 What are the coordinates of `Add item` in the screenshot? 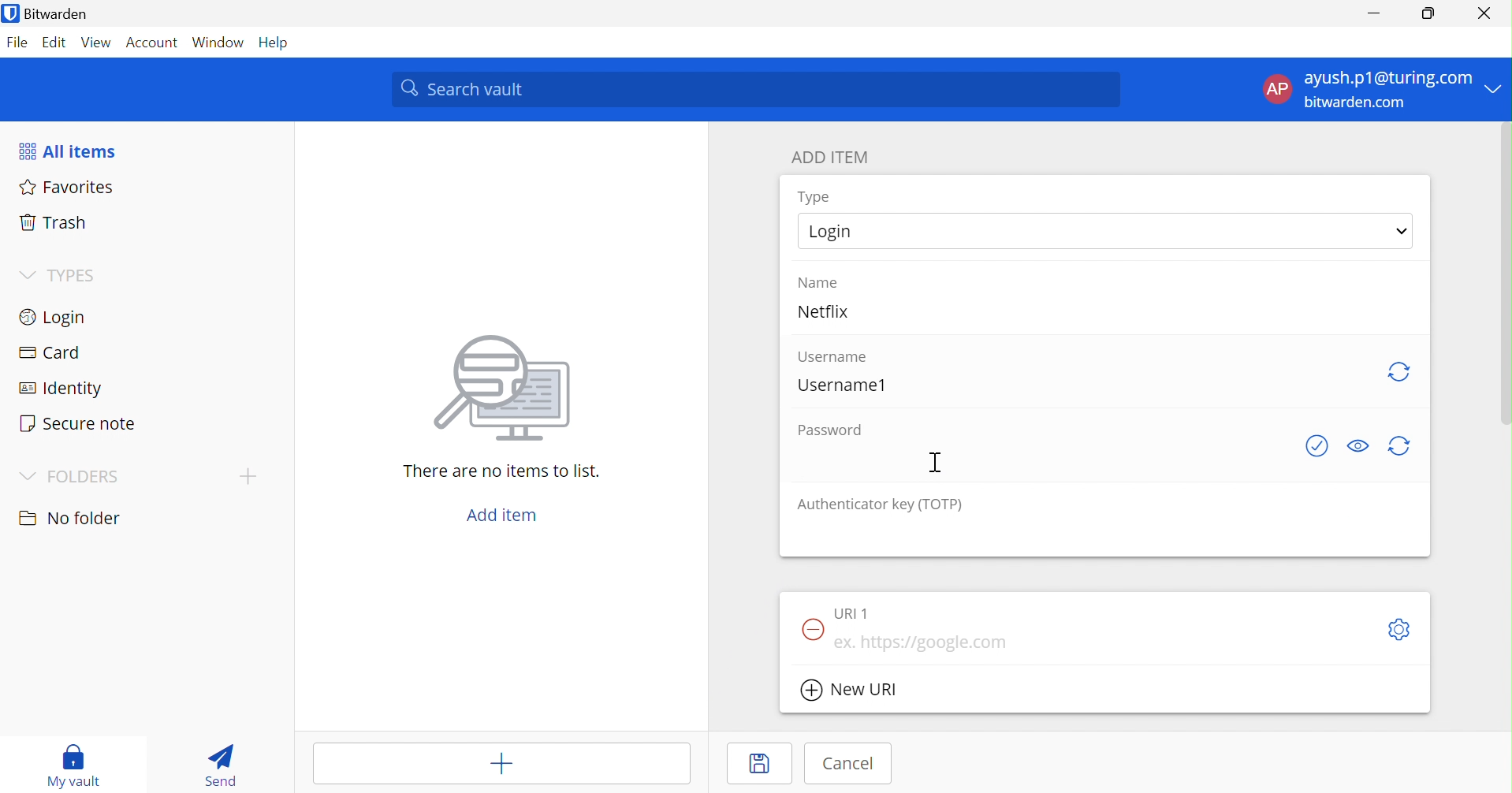 It's located at (505, 515).